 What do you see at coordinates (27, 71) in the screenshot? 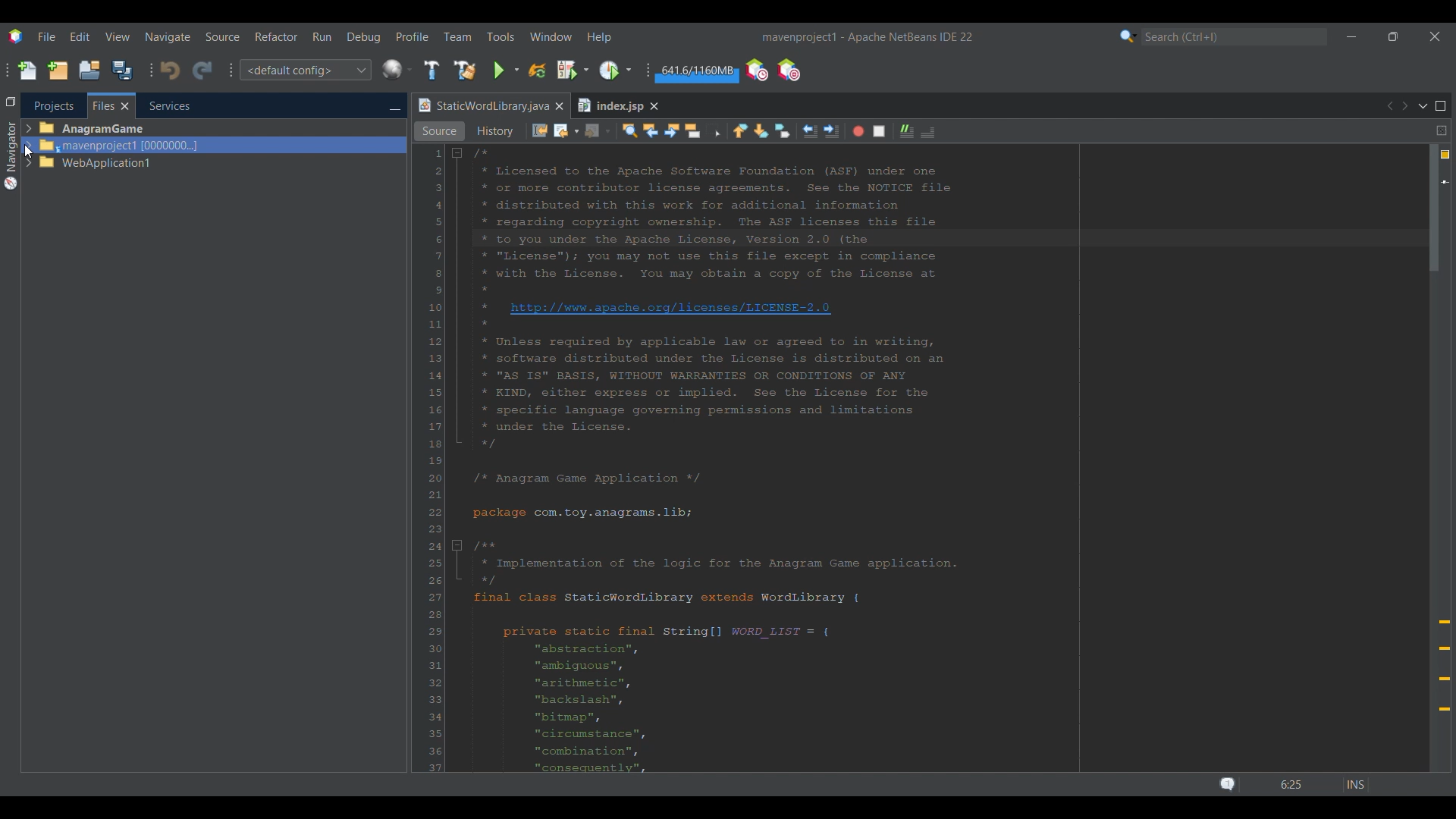
I see `New file` at bounding box center [27, 71].